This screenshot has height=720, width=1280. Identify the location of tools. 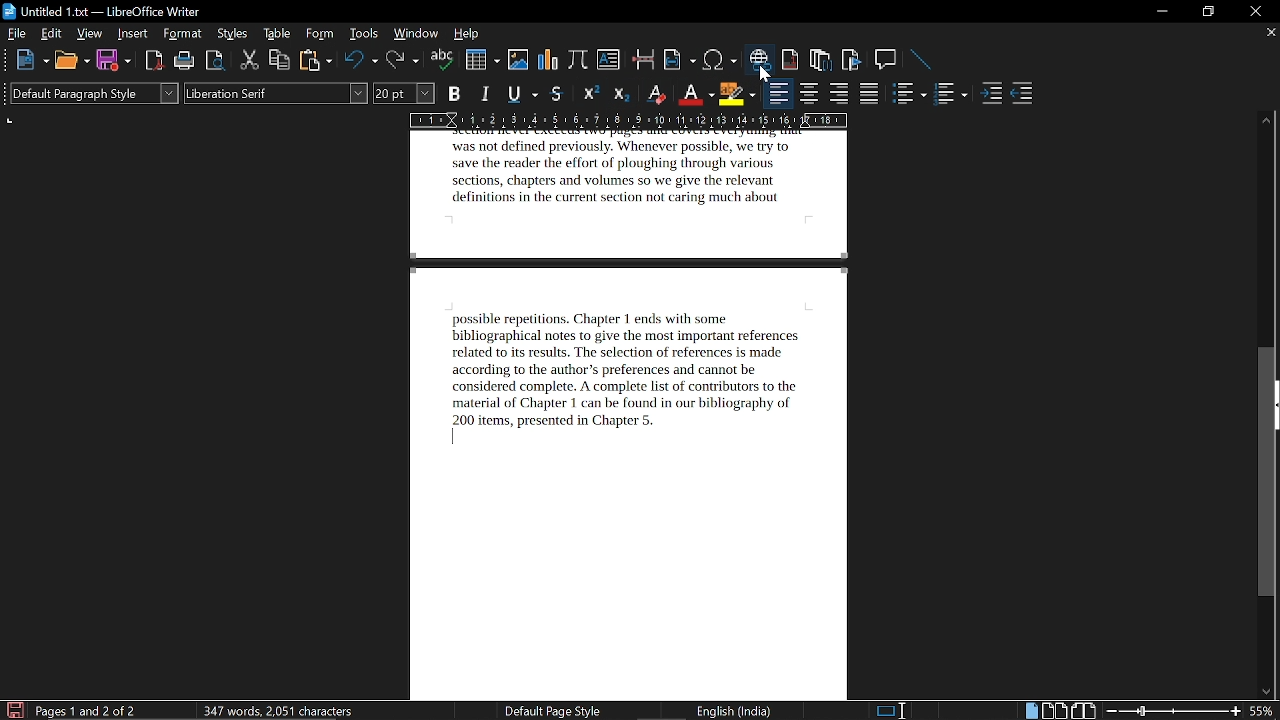
(366, 34).